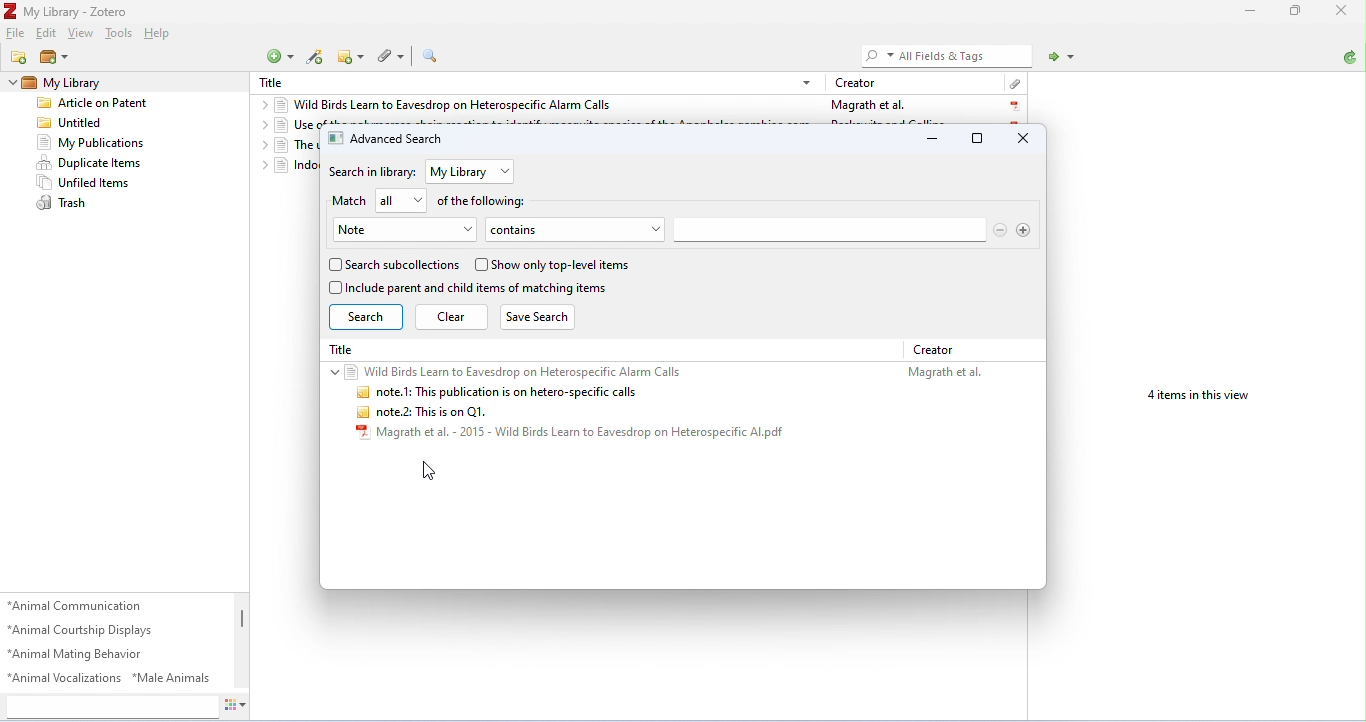 This screenshot has width=1366, height=722. Describe the element at coordinates (275, 81) in the screenshot. I see `Title` at that location.